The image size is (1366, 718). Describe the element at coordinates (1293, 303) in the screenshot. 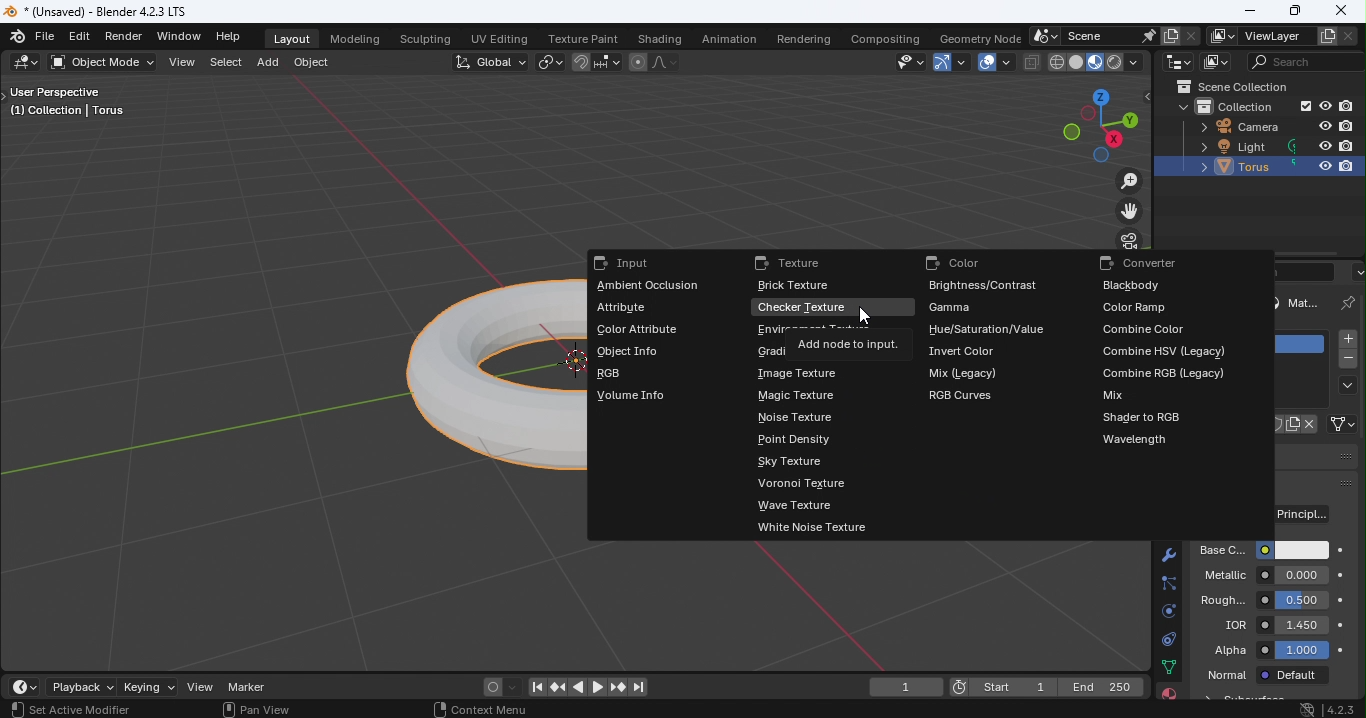

I see `Material` at that location.